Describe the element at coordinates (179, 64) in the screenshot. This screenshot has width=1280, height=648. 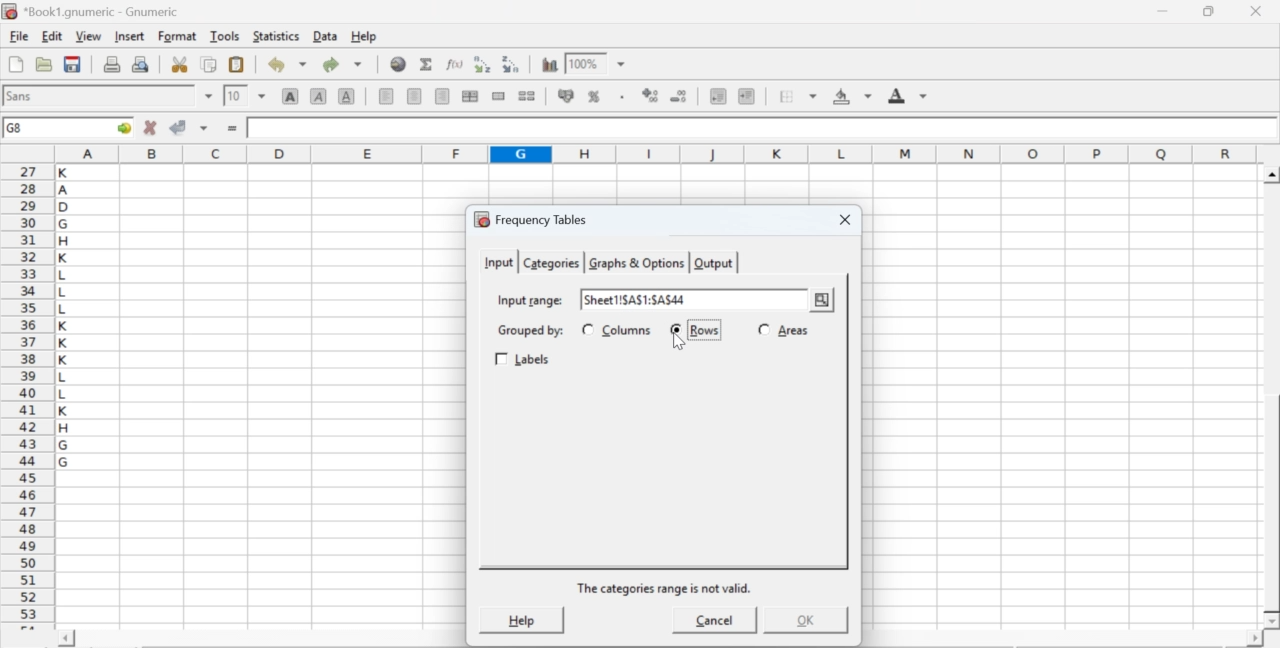
I see `cut` at that location.